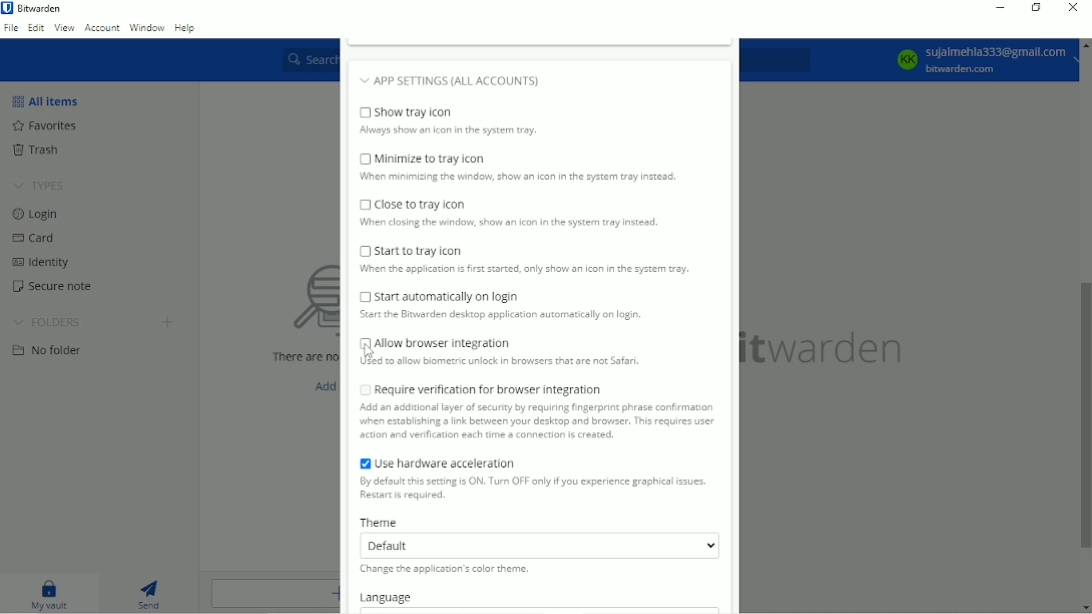 The width and height of the screenshot is (1092, 614). What do you see at coordinates (35, 238) in the screenshot?
I see `Card` at bounding box center [35, 238].